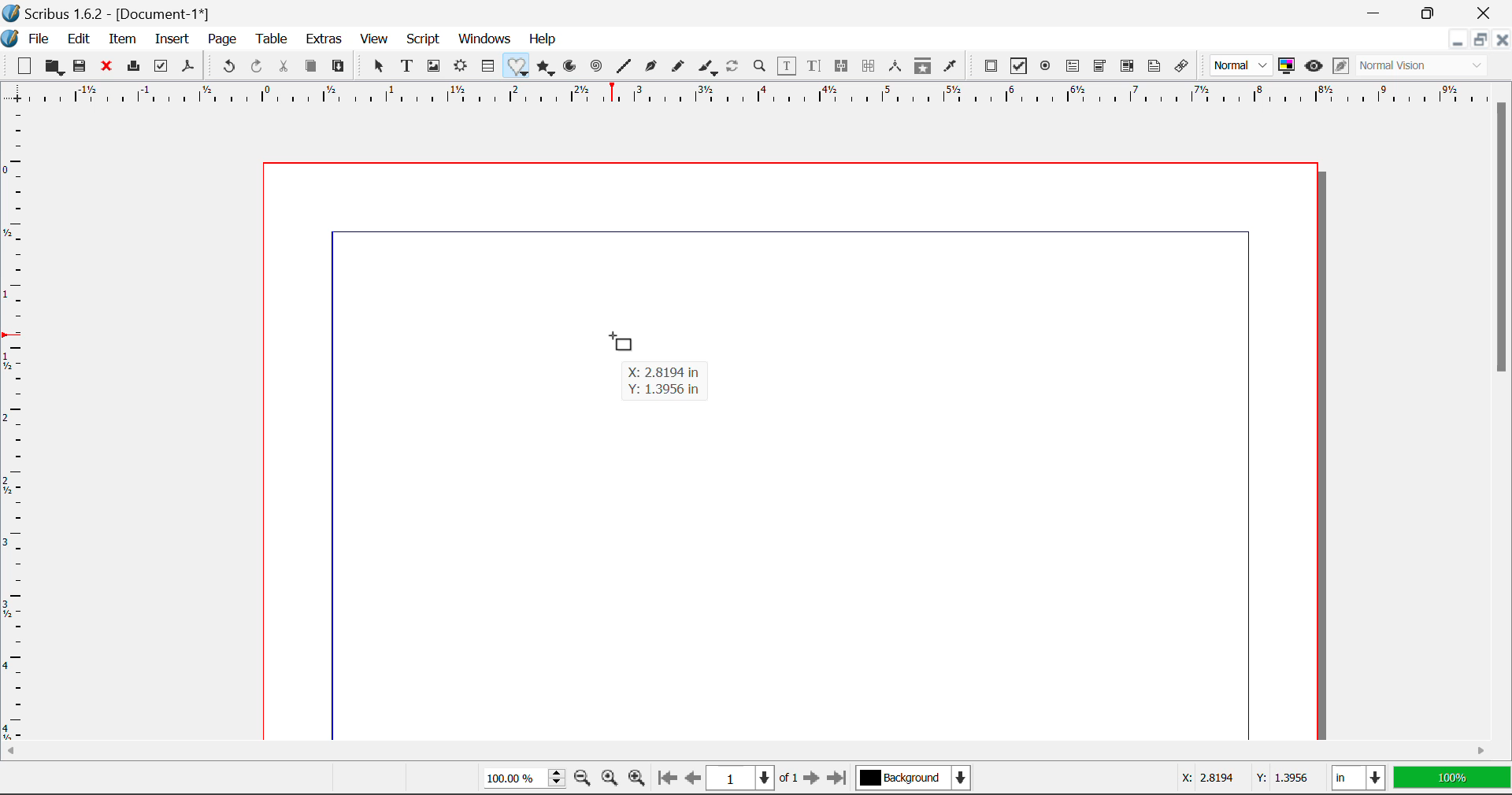  I want to click on Measurements, so click(897, 67).